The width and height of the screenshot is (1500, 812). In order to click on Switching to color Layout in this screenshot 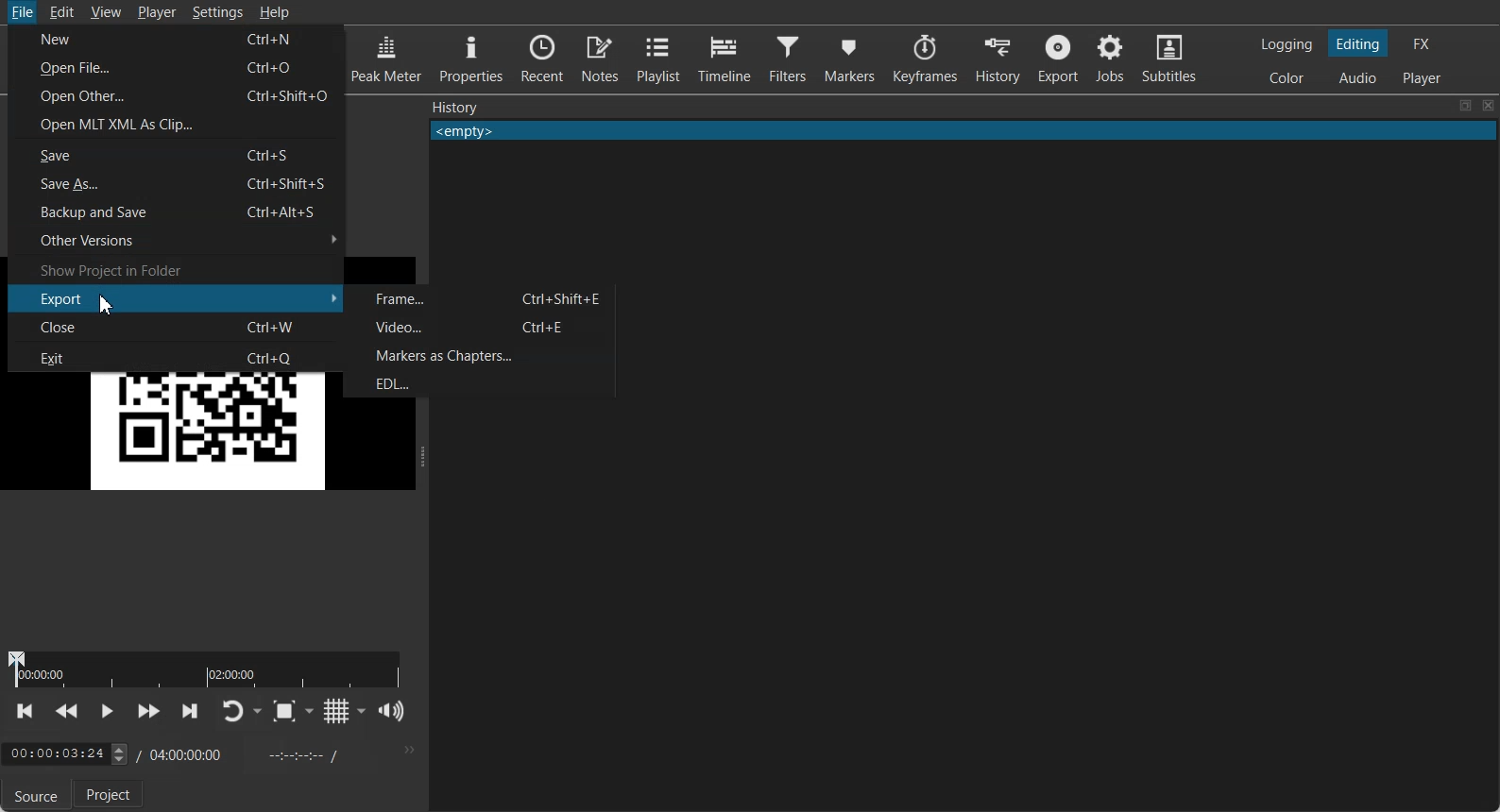, I will do `click(1287, 78)`.